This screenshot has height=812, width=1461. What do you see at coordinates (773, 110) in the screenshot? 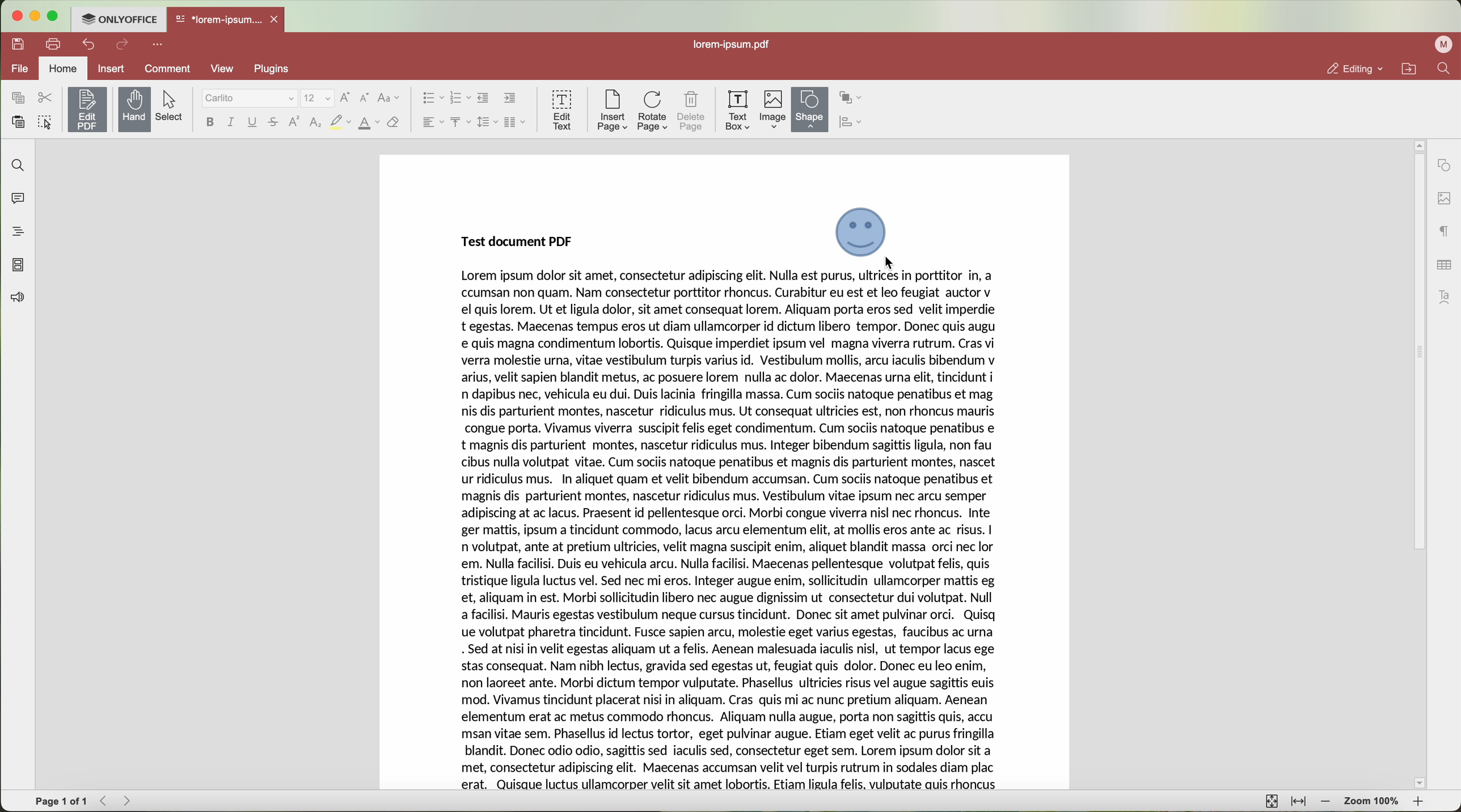
I see `image` at bounding box center [773, 110].